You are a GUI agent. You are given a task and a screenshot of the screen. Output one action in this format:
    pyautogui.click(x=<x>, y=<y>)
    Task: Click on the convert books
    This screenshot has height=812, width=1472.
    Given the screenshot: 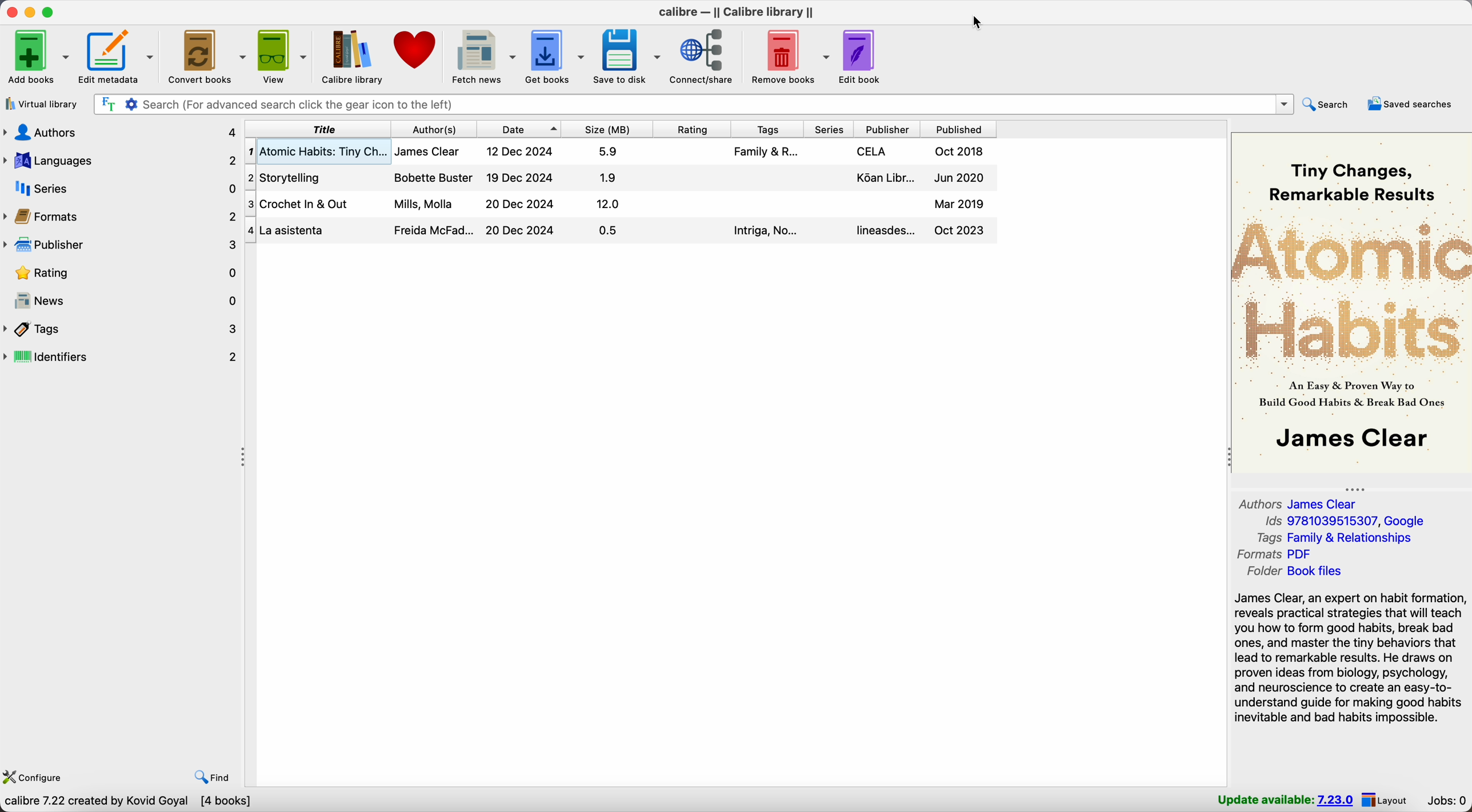 What is the action you would take?
    pyautogui.click(x=207, y=56)
    